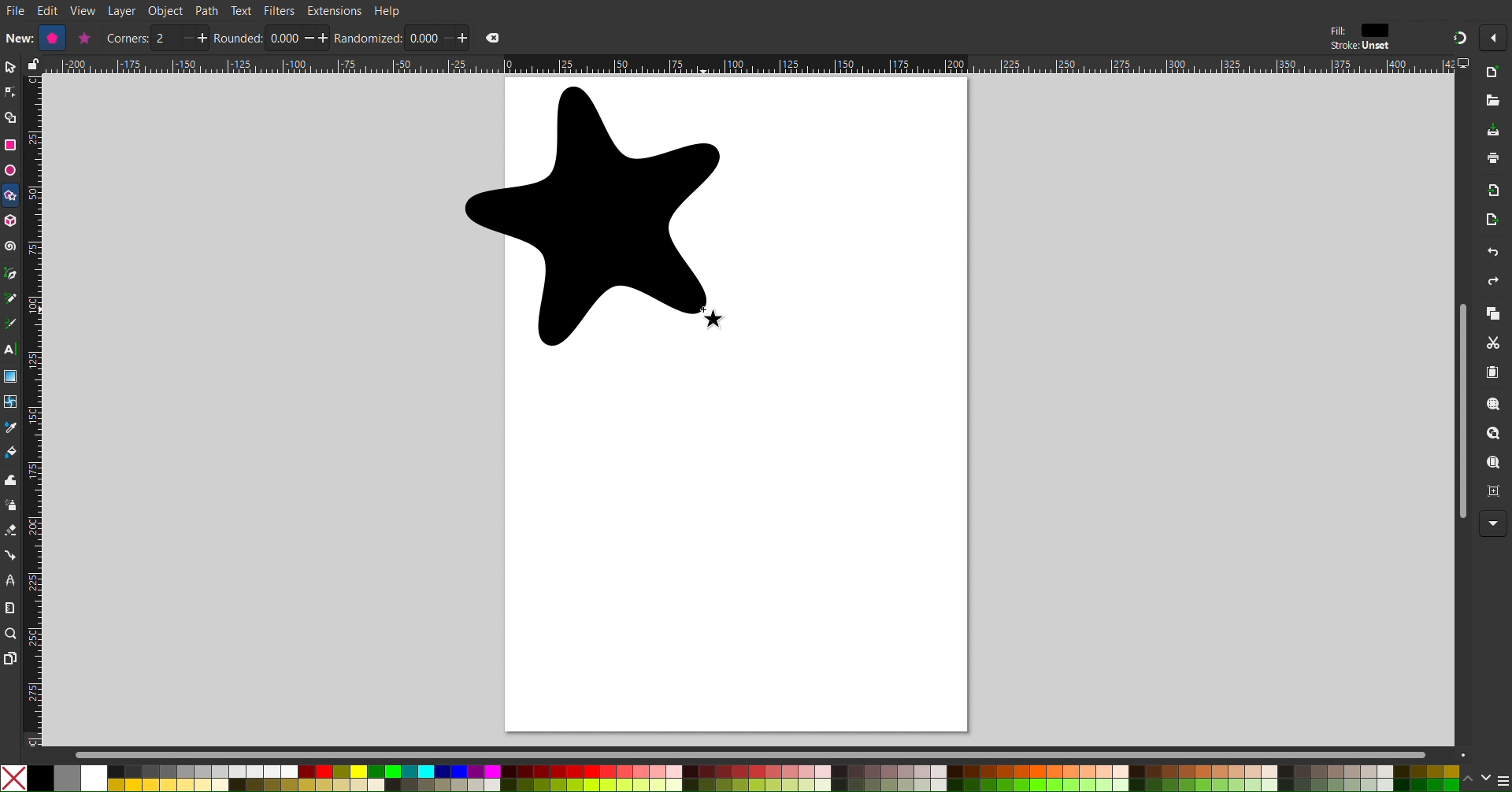  I want to click on Save, so click(1493, 131).